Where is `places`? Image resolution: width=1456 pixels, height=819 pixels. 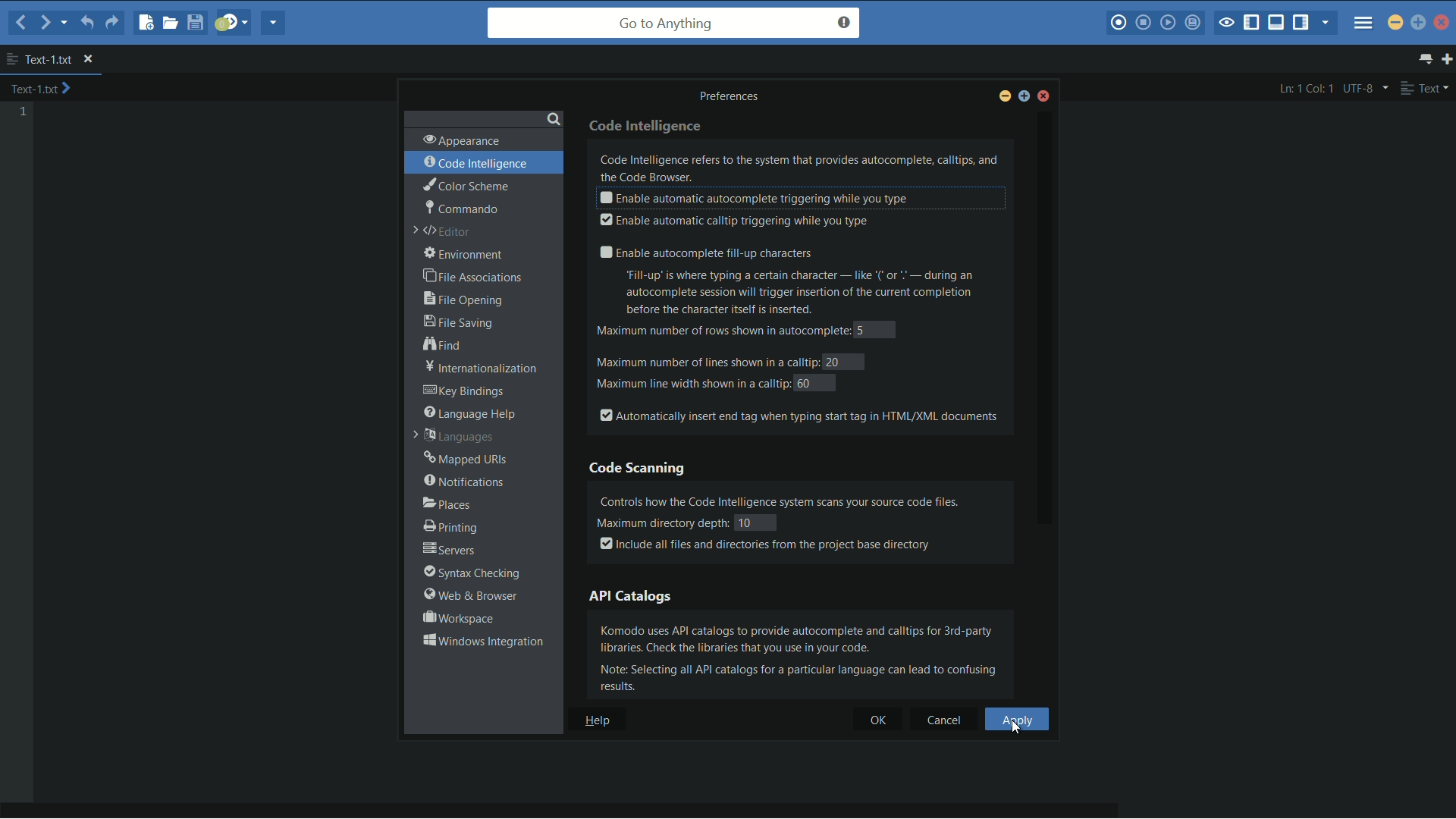 places is located at coordinates (447, 504).